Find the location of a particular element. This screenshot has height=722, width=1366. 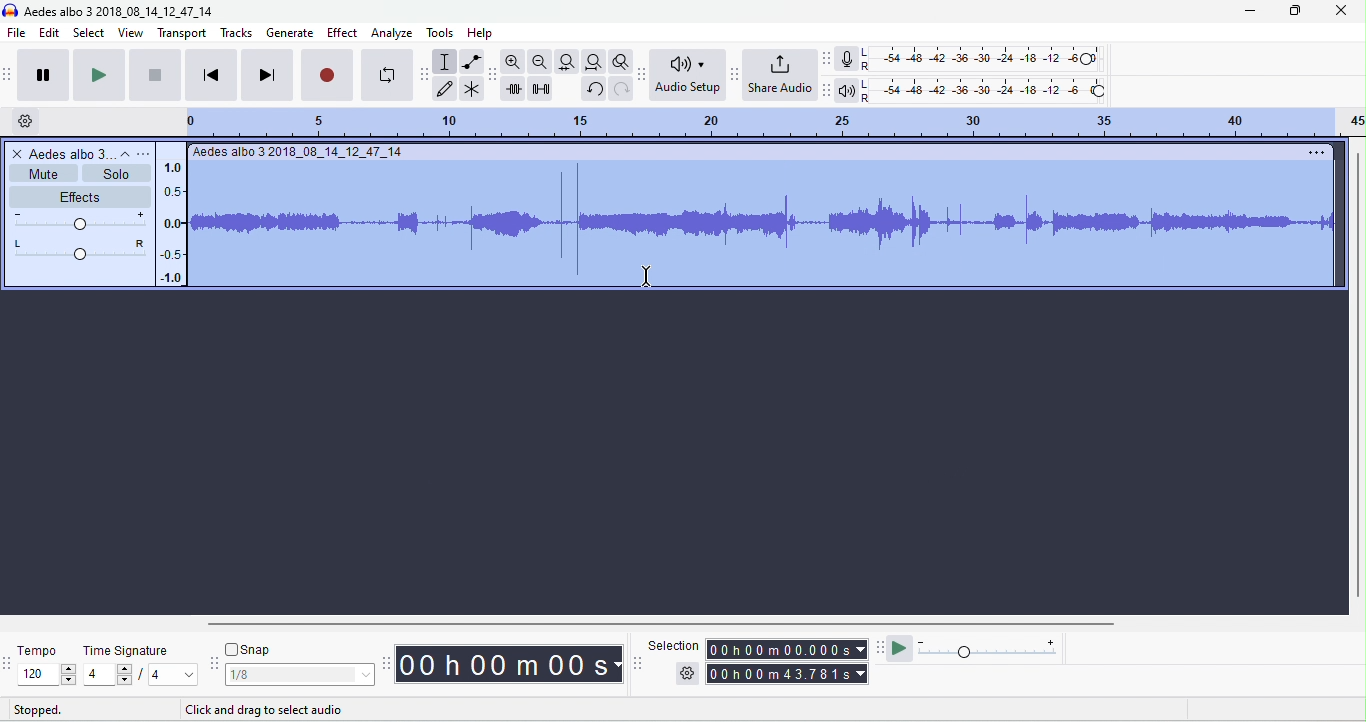

play at speed / play at speed once is located at coordinates (899, 650).